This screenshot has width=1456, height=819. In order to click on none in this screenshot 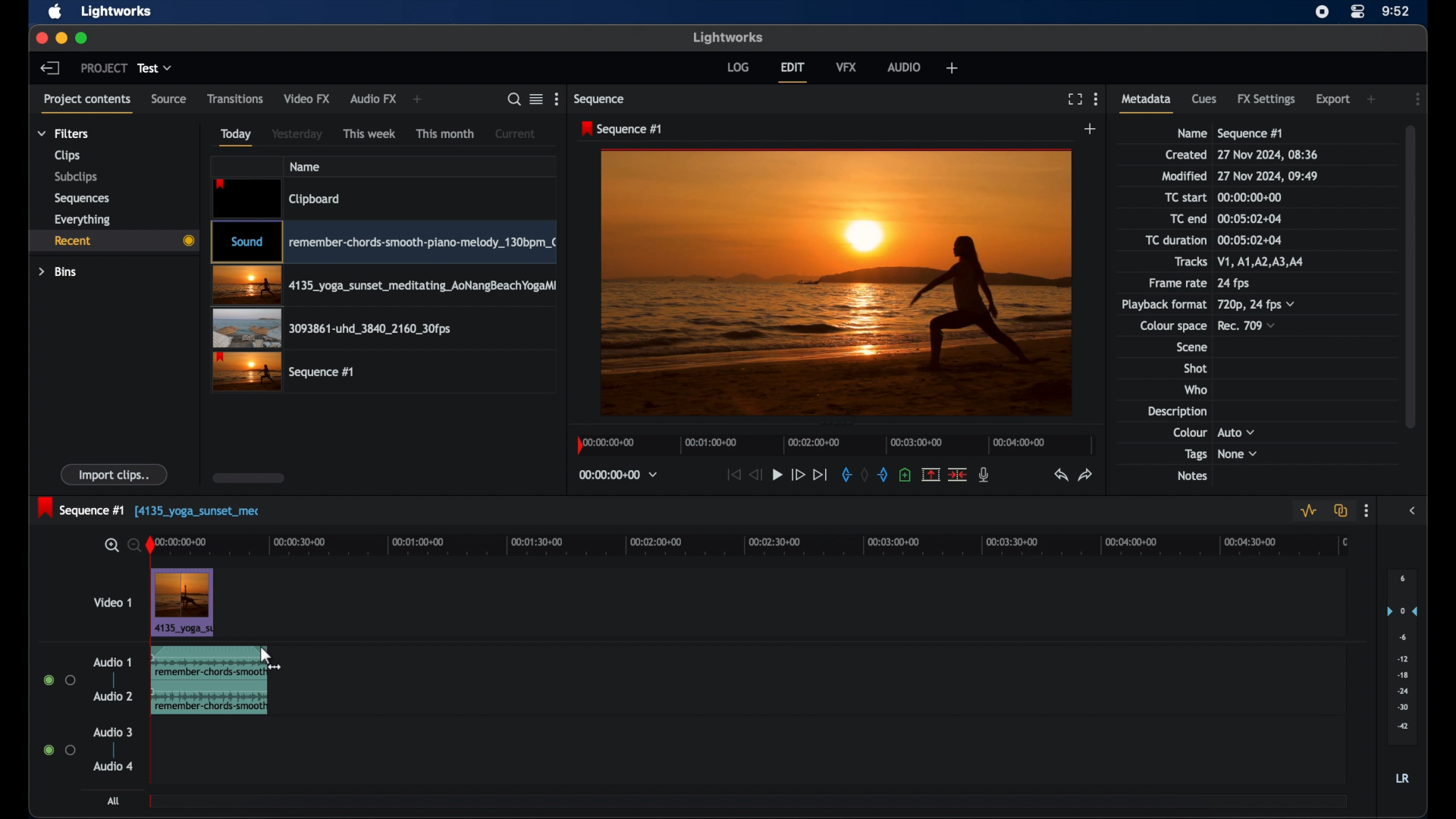, I will do `click(1238, 454)`.